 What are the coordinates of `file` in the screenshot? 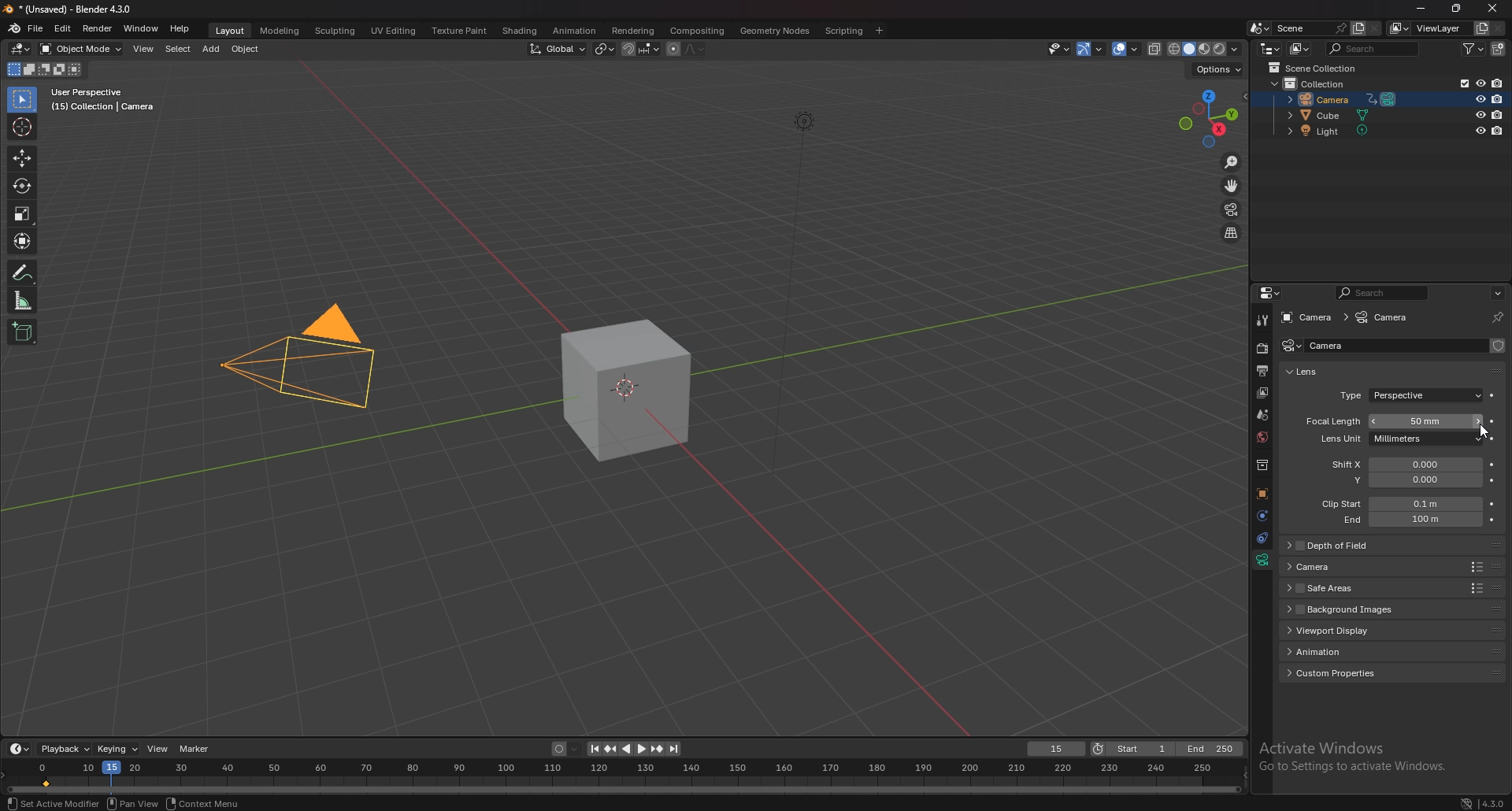 It's located at (37, 29).